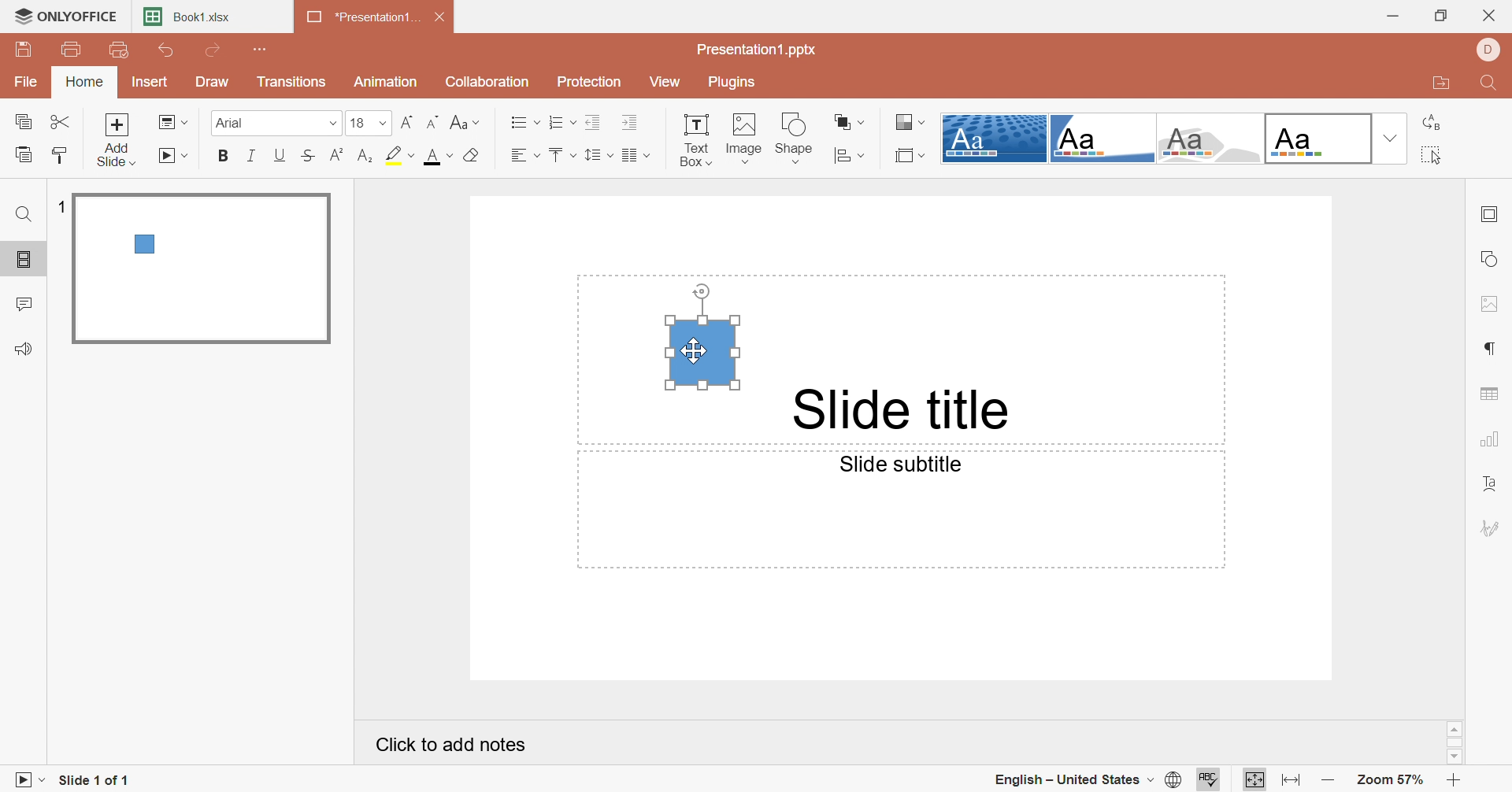 The height and width of the screenshot is (792, 1512). Describe the element at coordinates (26, 261) in the screenshot. I see `Slides` at that location.